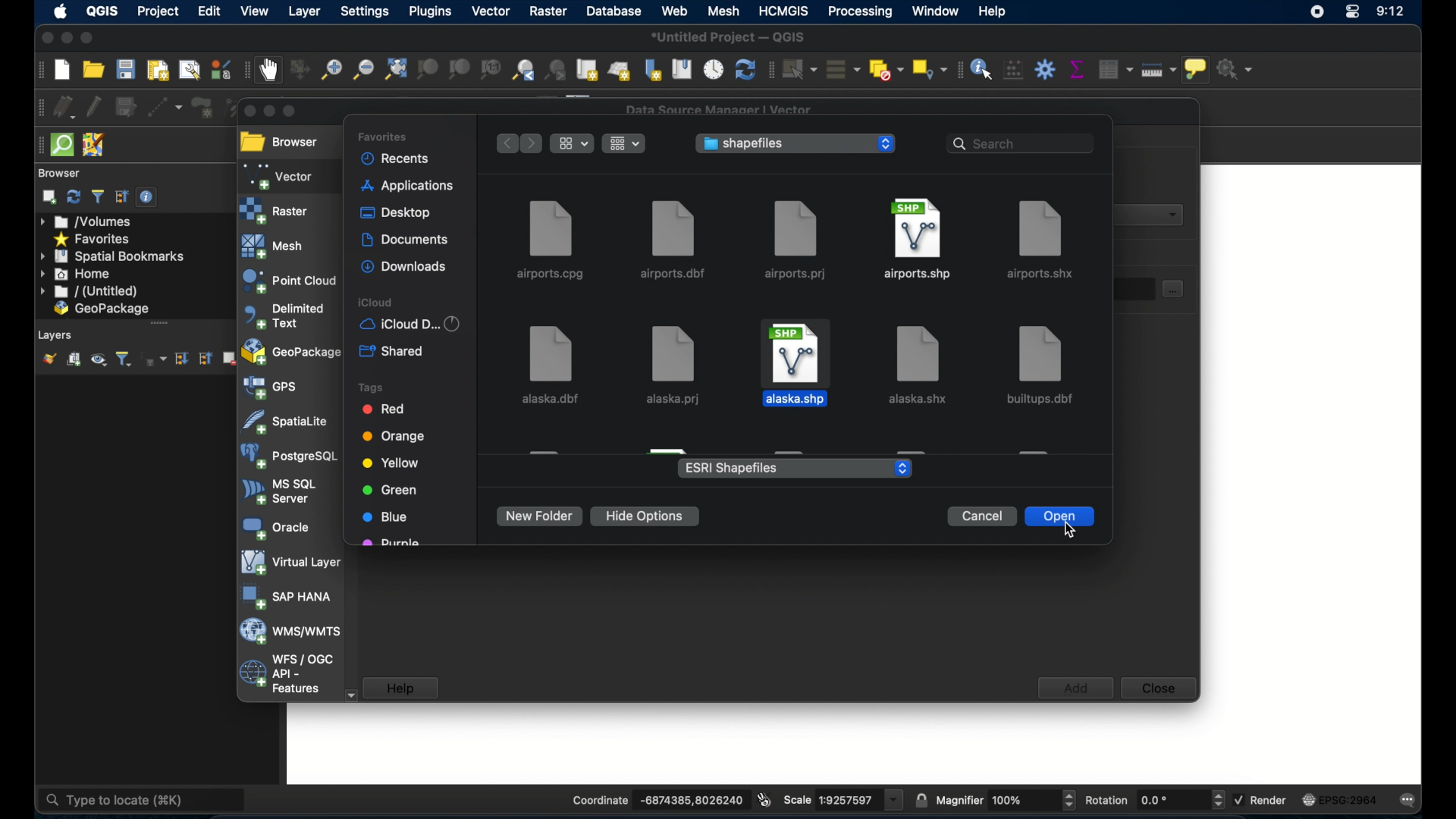  I want to click on edit, so click(210, 11).